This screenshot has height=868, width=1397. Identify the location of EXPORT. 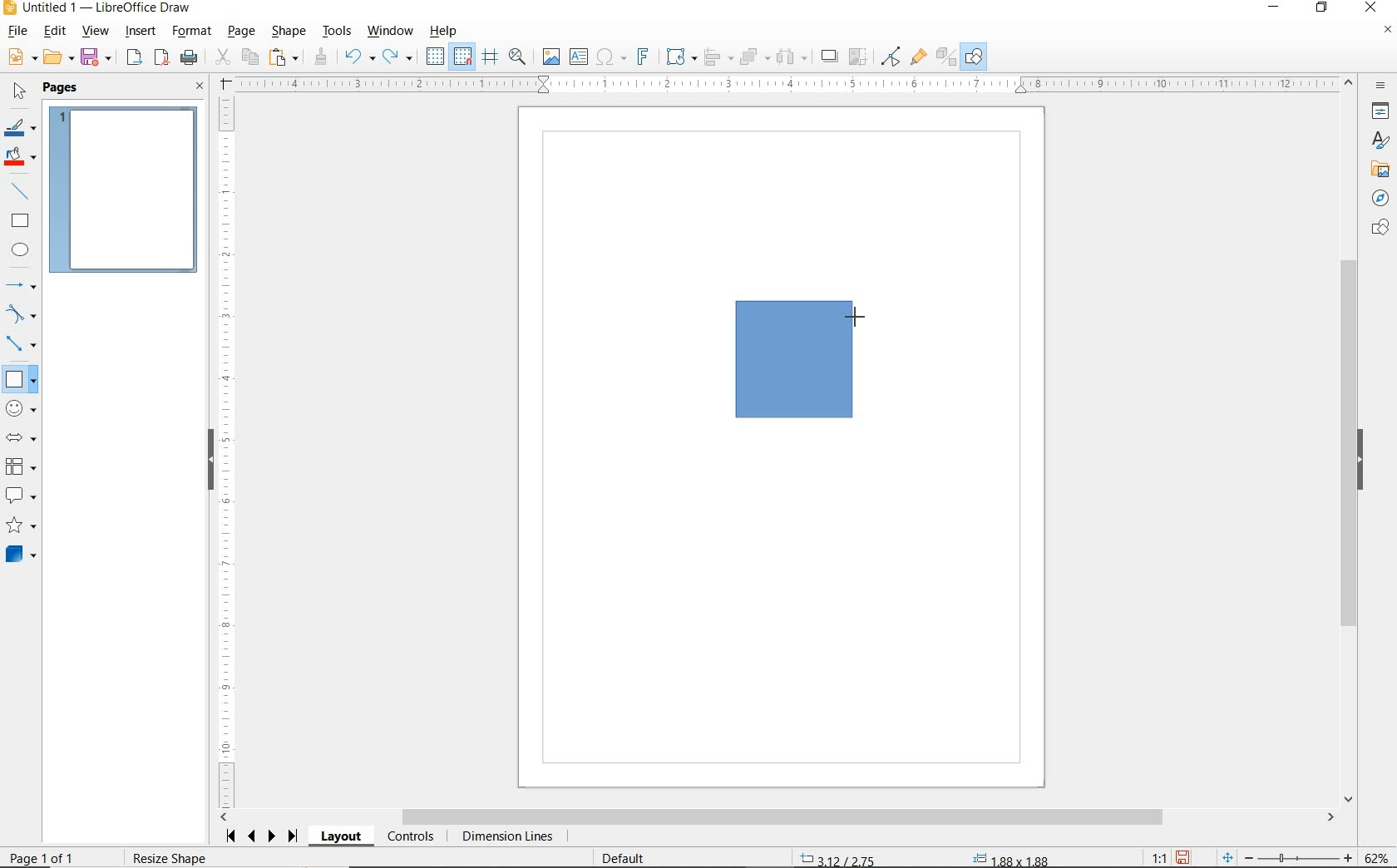
(135, 59).